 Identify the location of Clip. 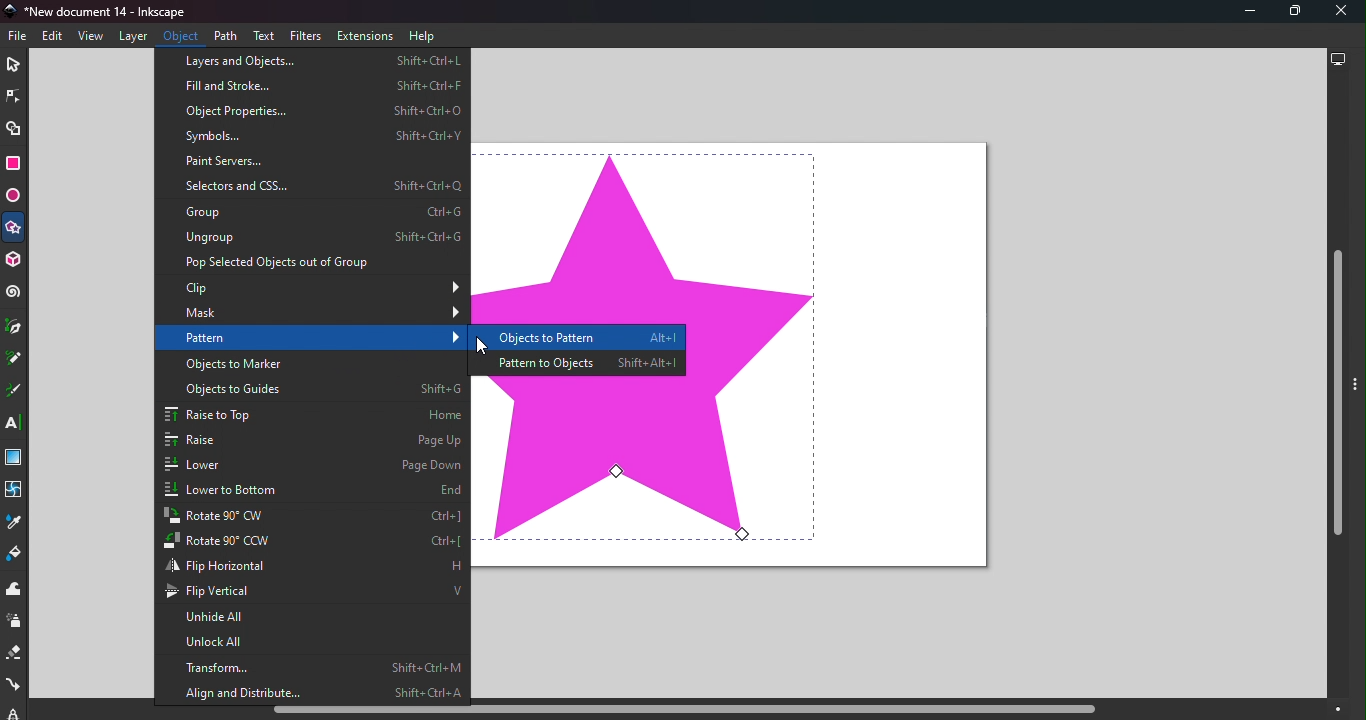
(323, 288).